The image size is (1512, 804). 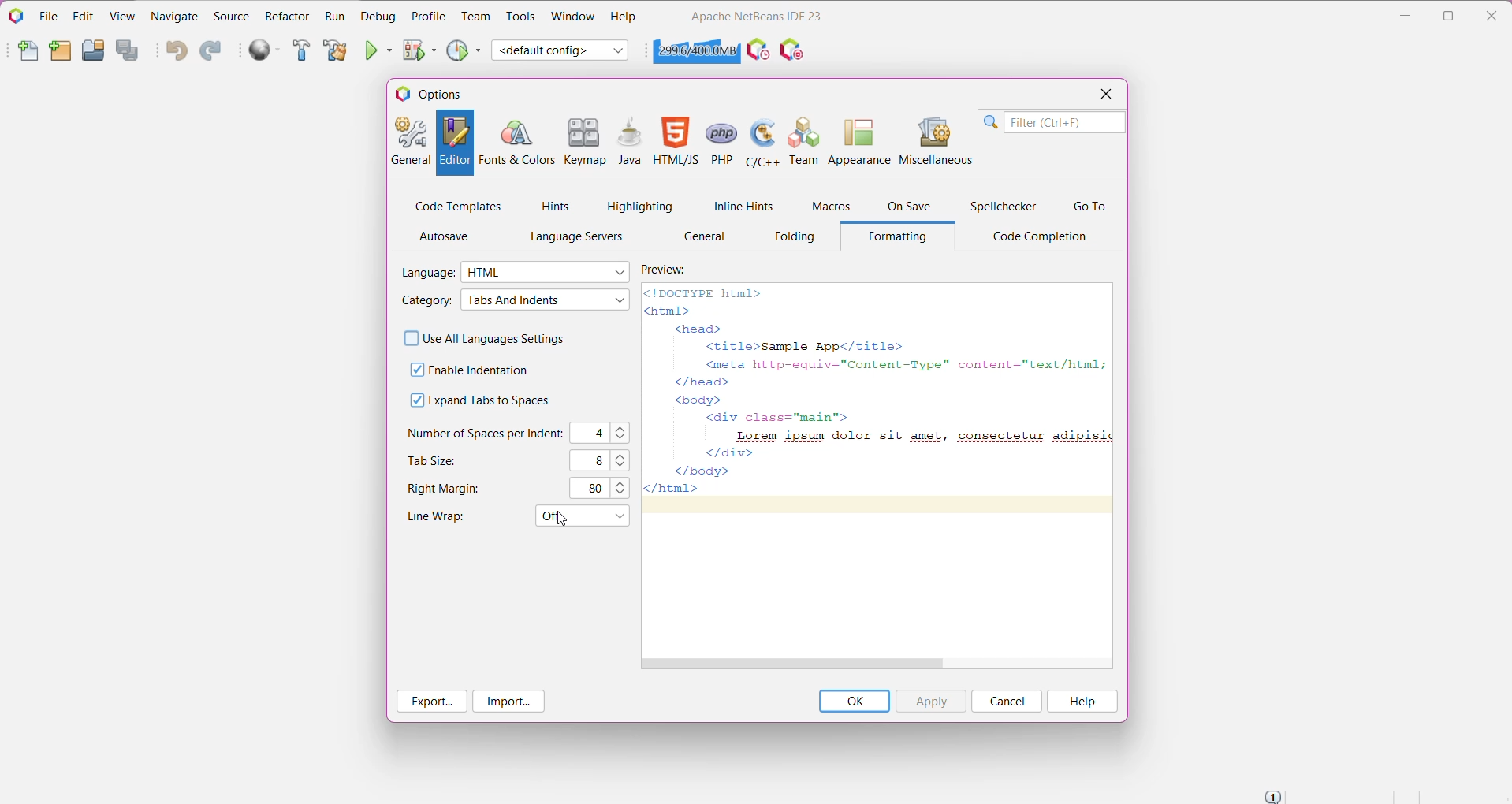 I want to click on Set Line Wrap, so click(x=581, y=516).